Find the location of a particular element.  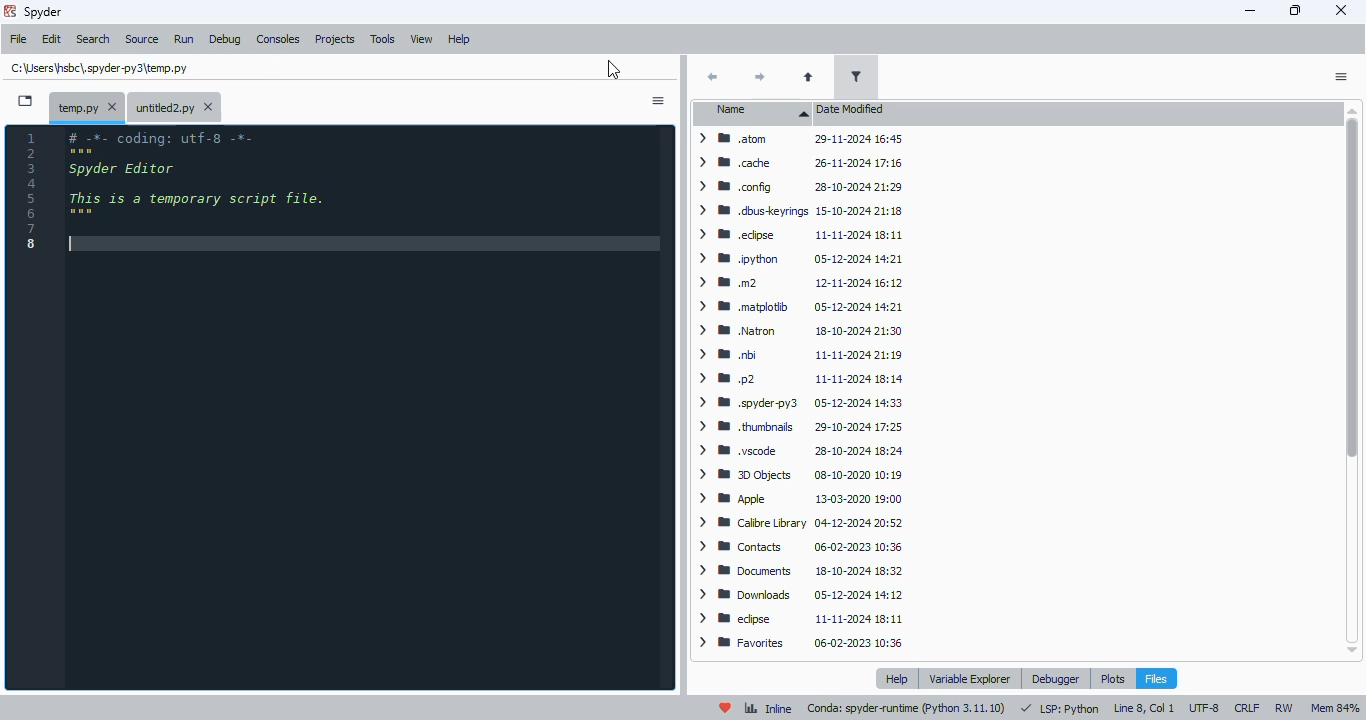

> WW Natron 18-10-2024 21:30 is located at coordinates (796, 331).